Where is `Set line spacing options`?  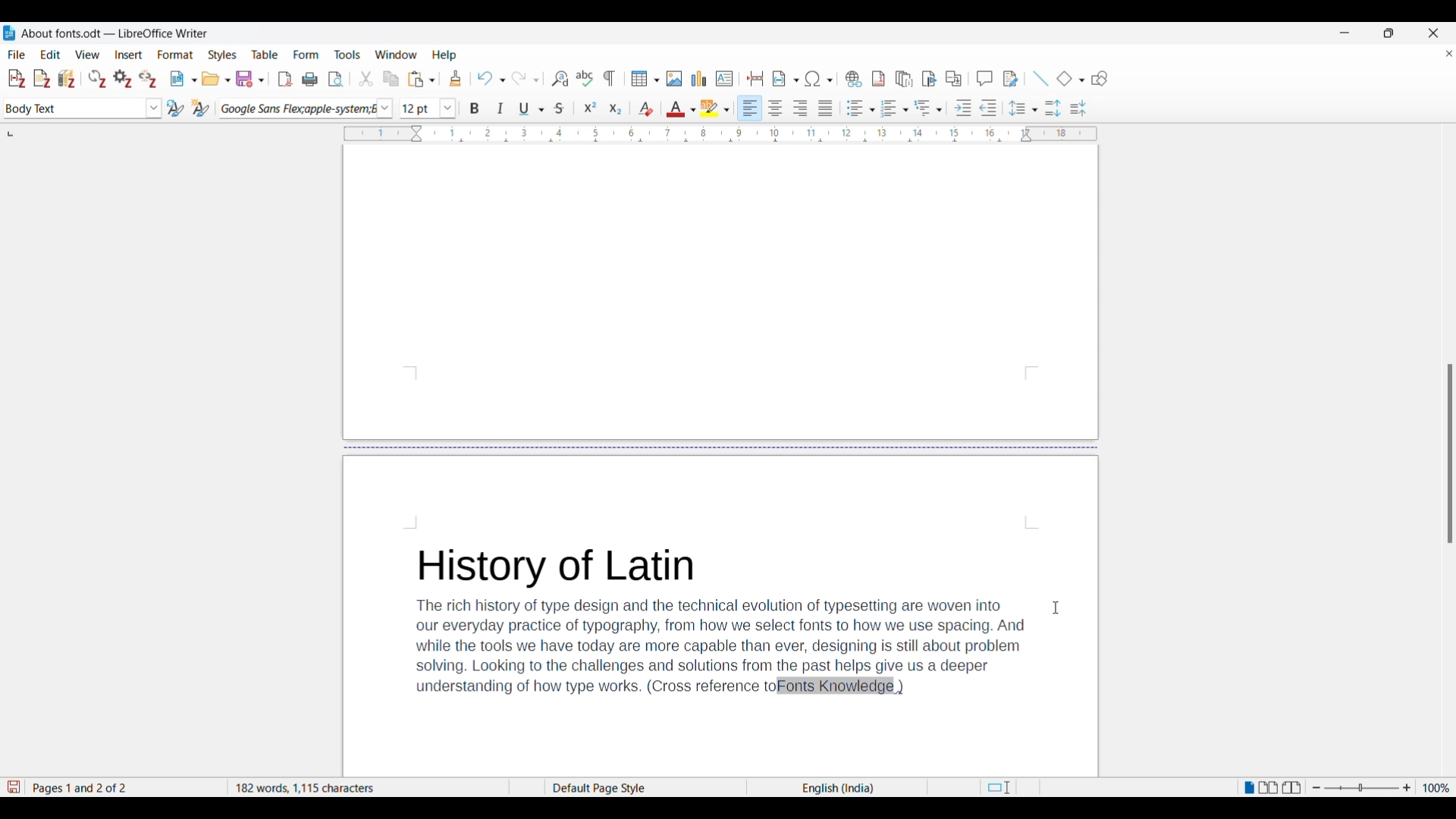 Set line spacing options is located at coordinates (1023, 108).